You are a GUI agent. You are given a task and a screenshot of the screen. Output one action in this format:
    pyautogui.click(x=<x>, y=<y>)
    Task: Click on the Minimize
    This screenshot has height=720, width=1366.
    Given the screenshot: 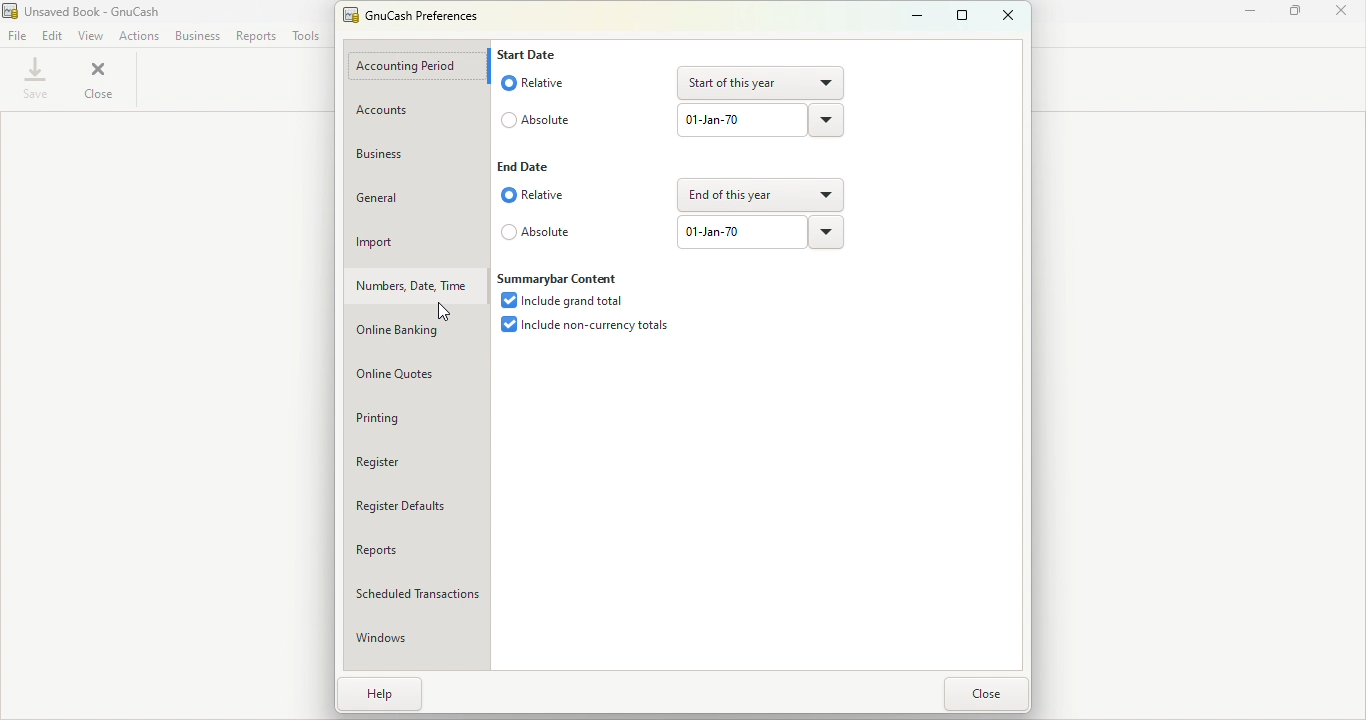 What is the action you would take?
    pyautogui.click(x=916, y=14)
    